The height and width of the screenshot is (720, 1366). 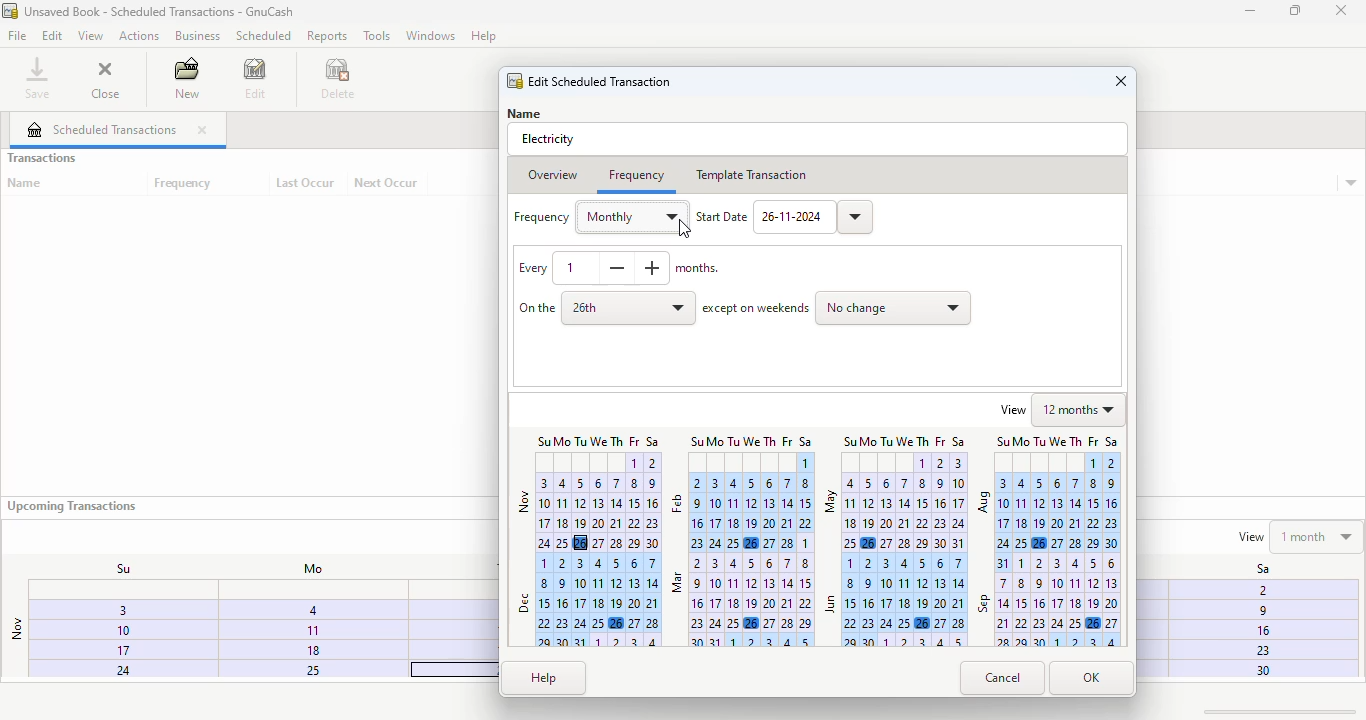 I want to click on close, so click(x=1341, y=11).